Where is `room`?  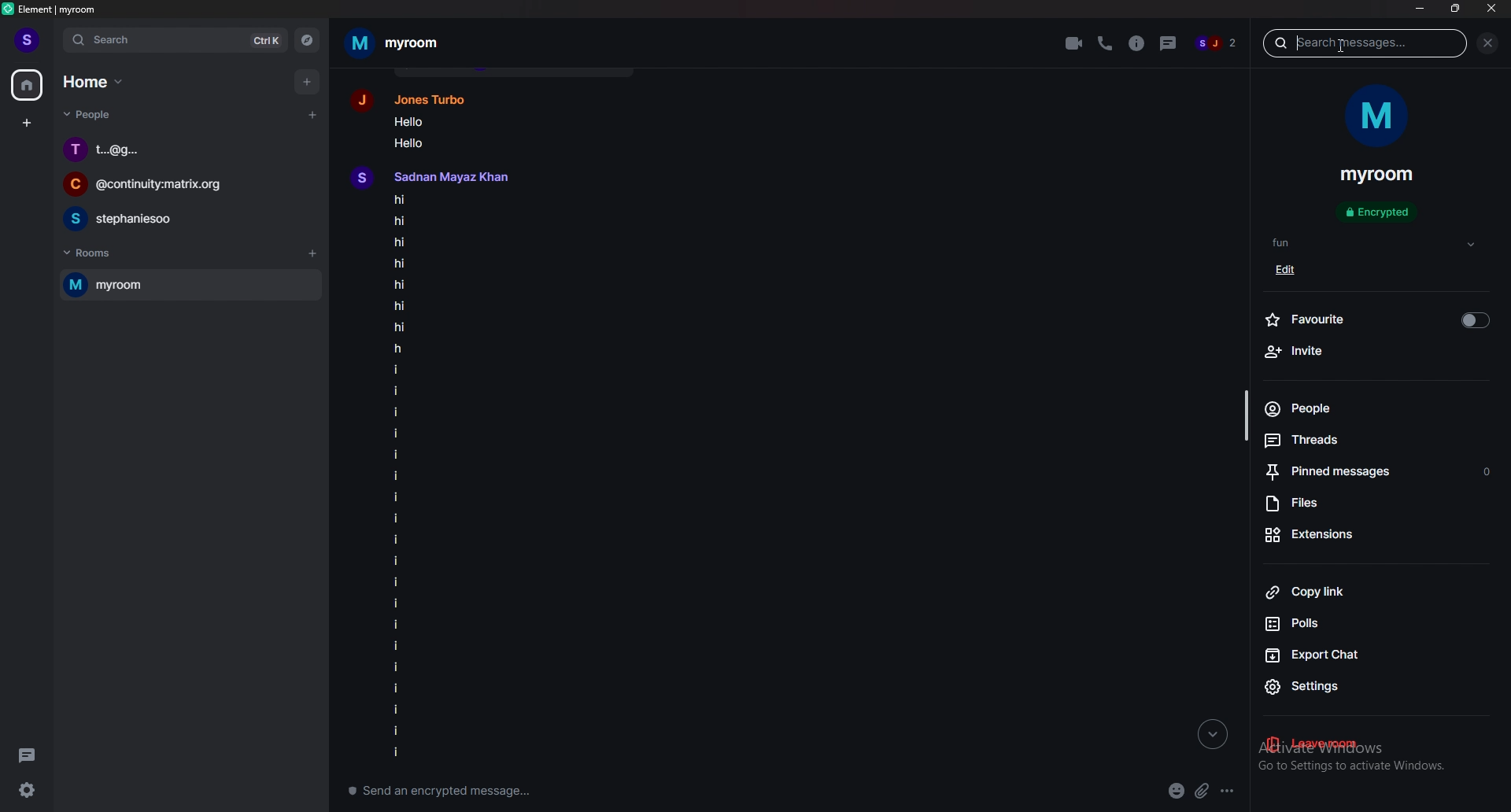
room is located at coordinates (180, 285).